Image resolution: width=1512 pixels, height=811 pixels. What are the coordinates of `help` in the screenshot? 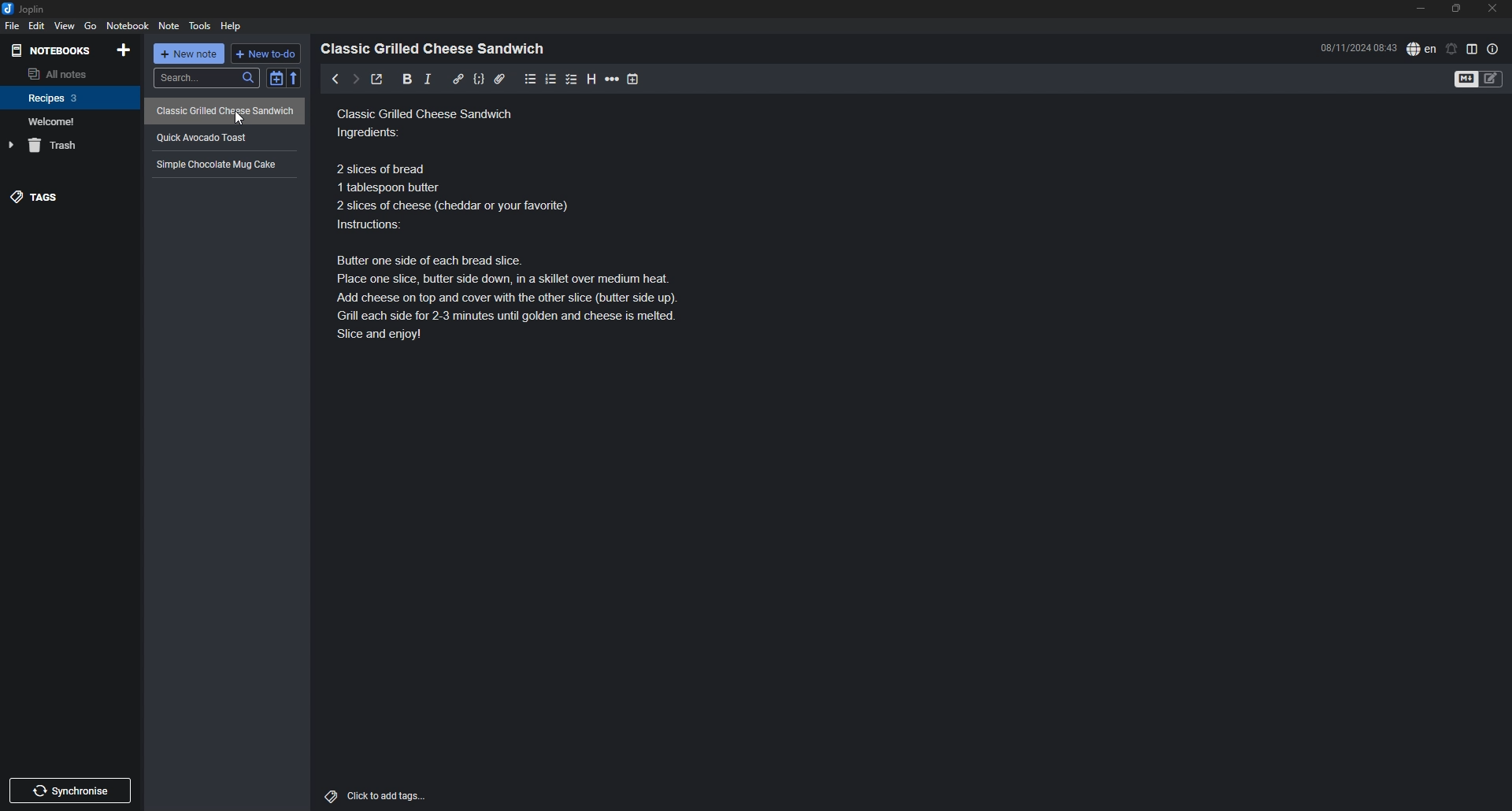 It's located at (233, 26).